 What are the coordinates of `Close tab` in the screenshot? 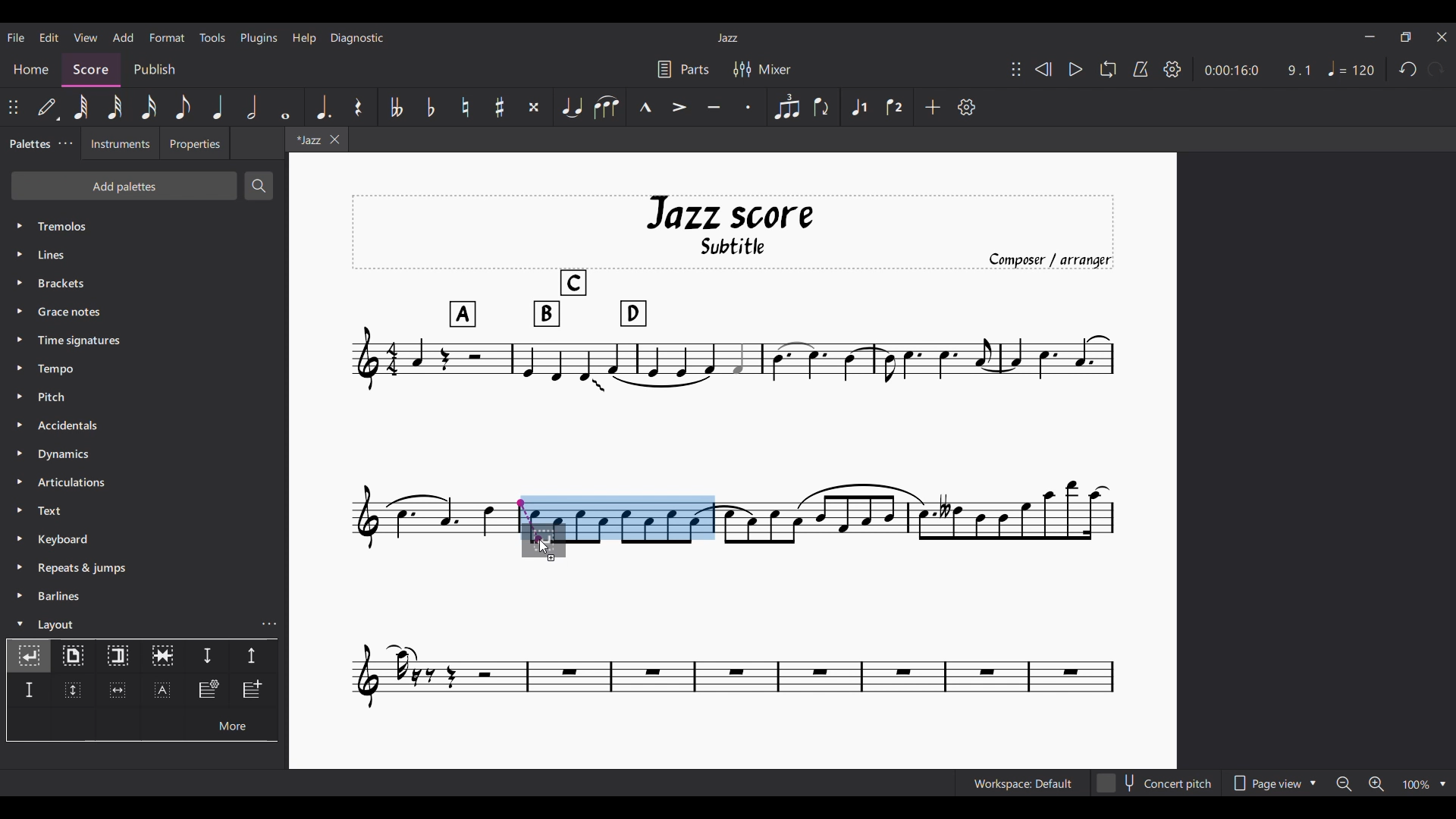 It's located at (335, 140).